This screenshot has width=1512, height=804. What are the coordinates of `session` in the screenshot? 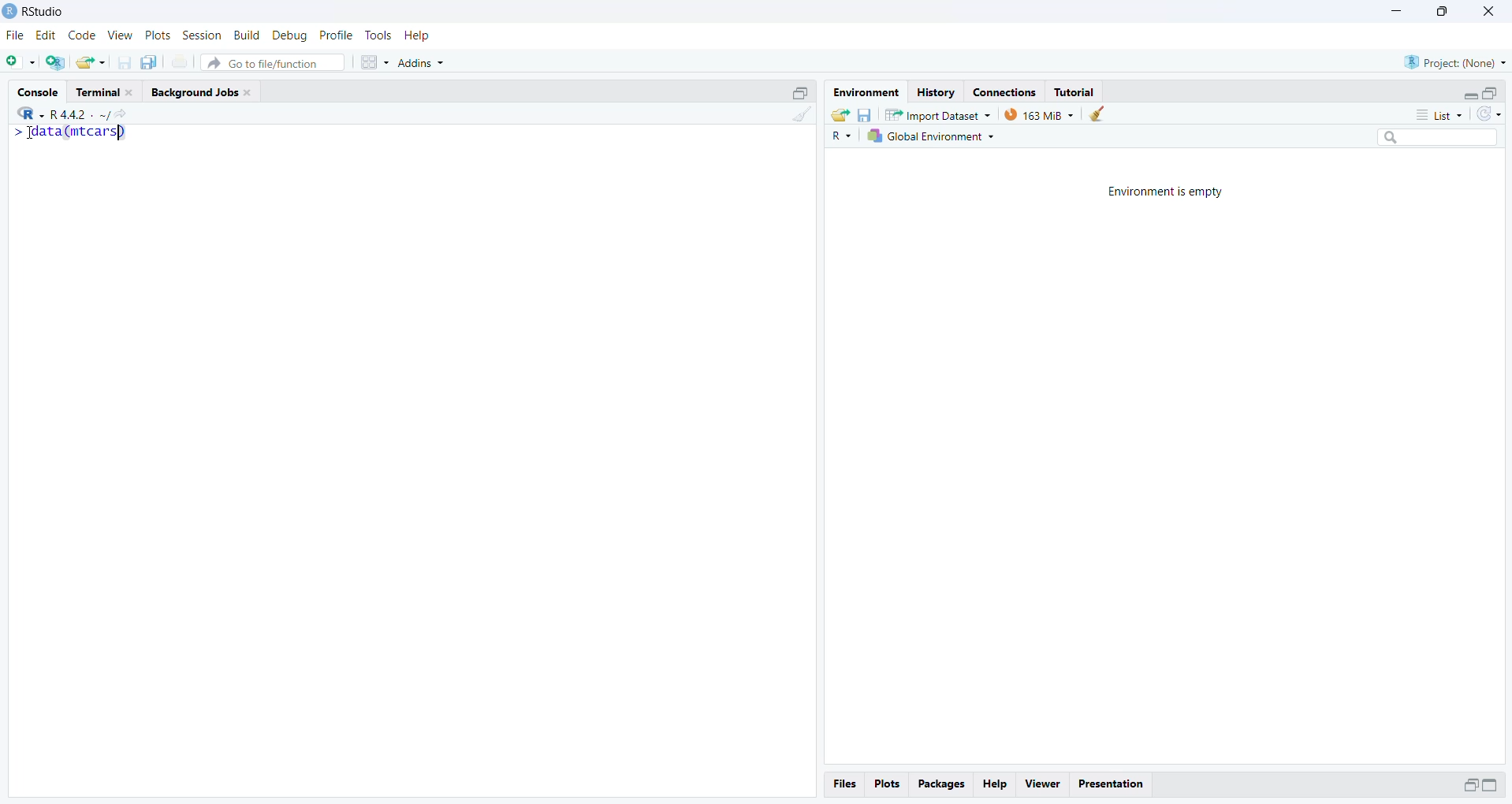 It's located at (202, 35).